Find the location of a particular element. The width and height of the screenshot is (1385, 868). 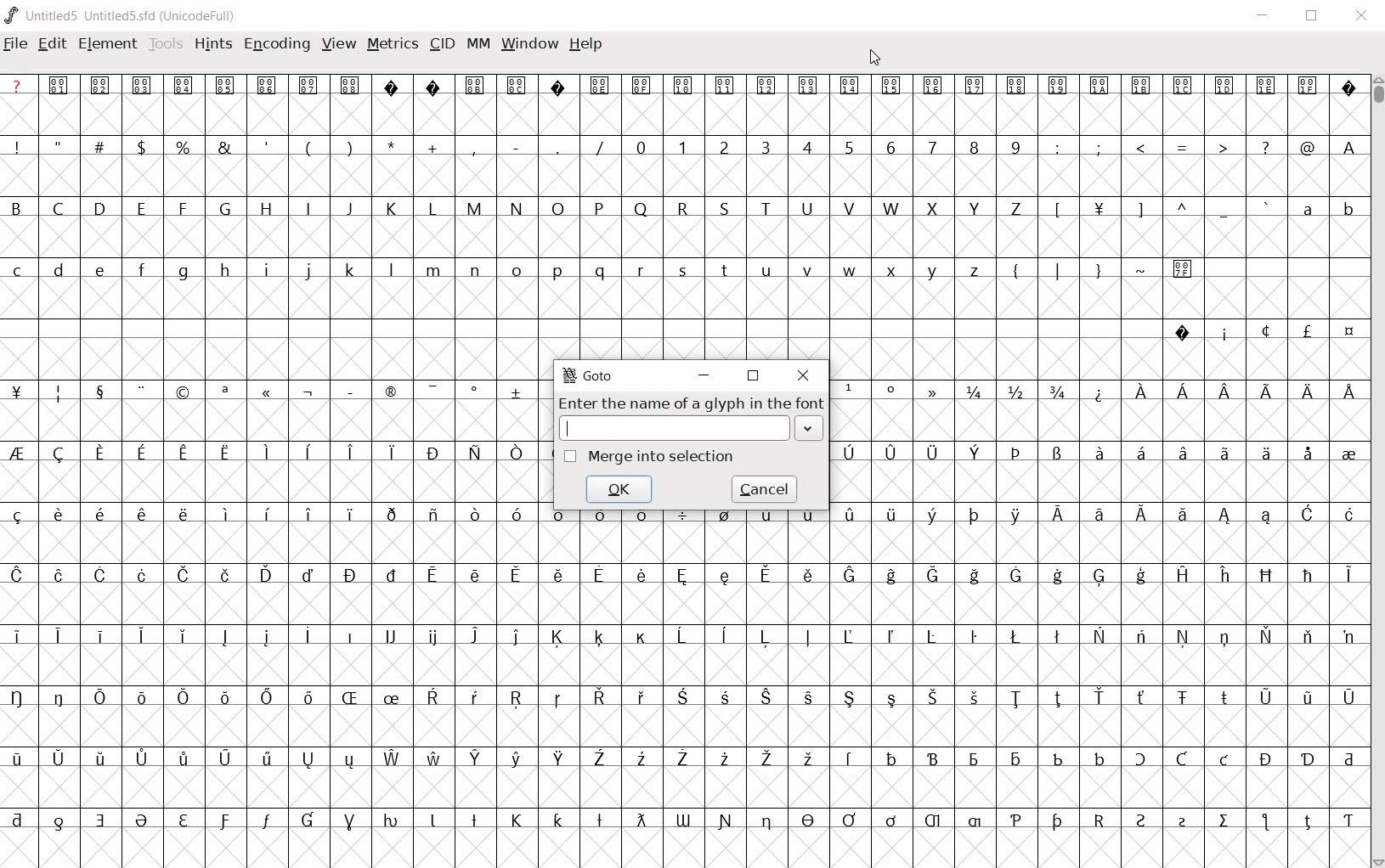

H is located at coordinates (267, 209).